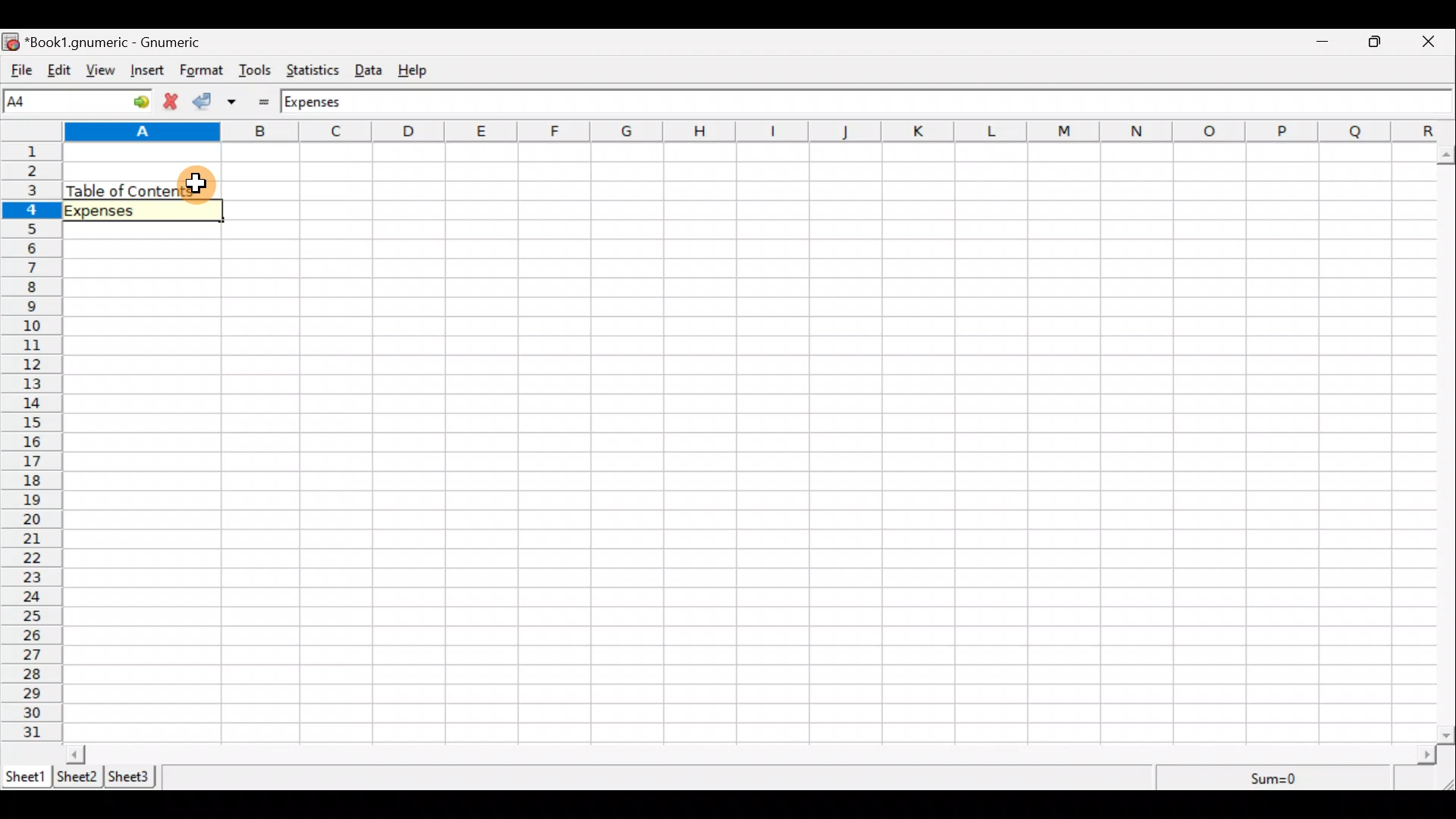  I want to click on Sheet 3, so click(133, 777).